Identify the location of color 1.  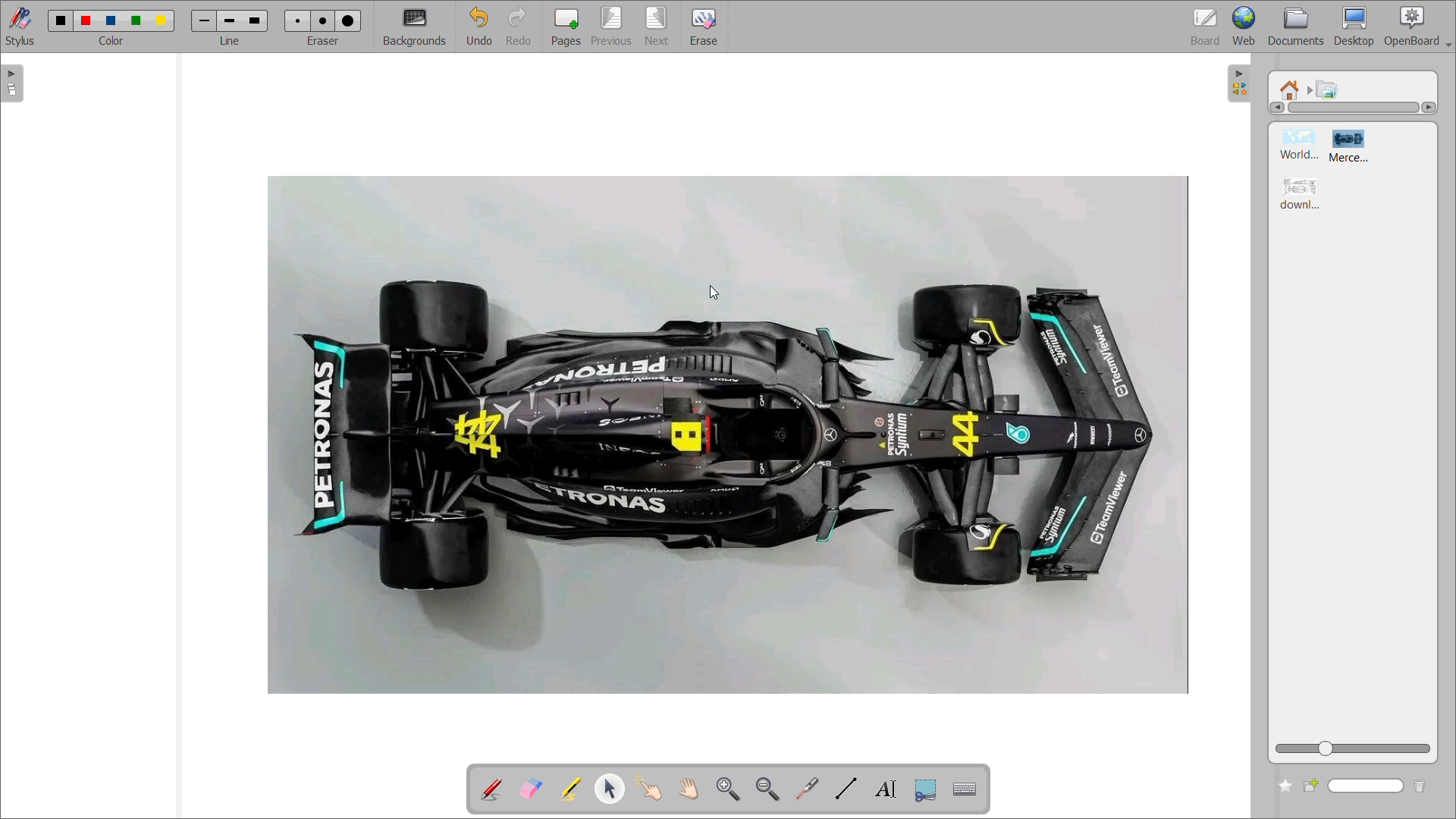
(59, 21).